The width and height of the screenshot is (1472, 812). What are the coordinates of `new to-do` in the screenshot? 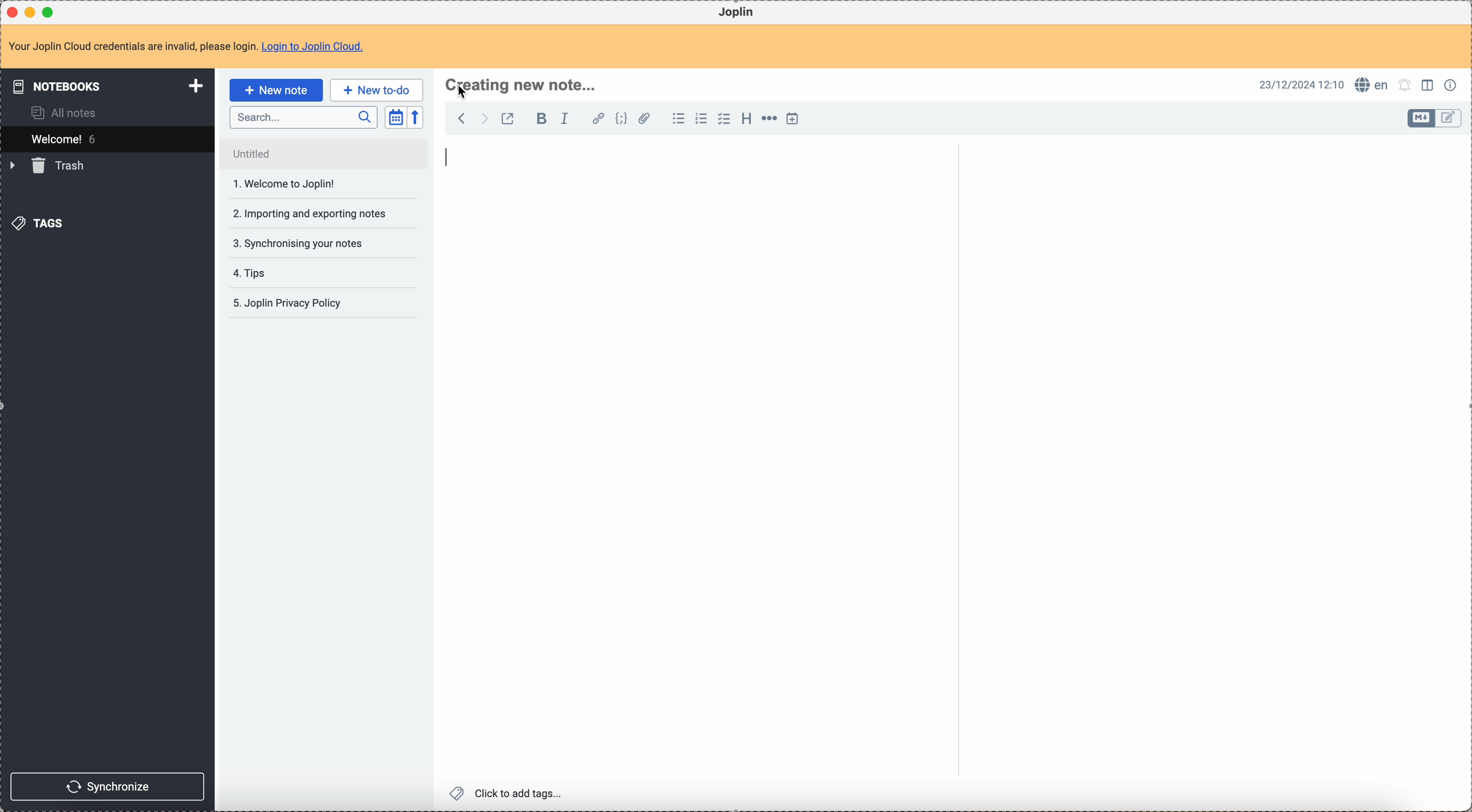 It's located at (377, 89).